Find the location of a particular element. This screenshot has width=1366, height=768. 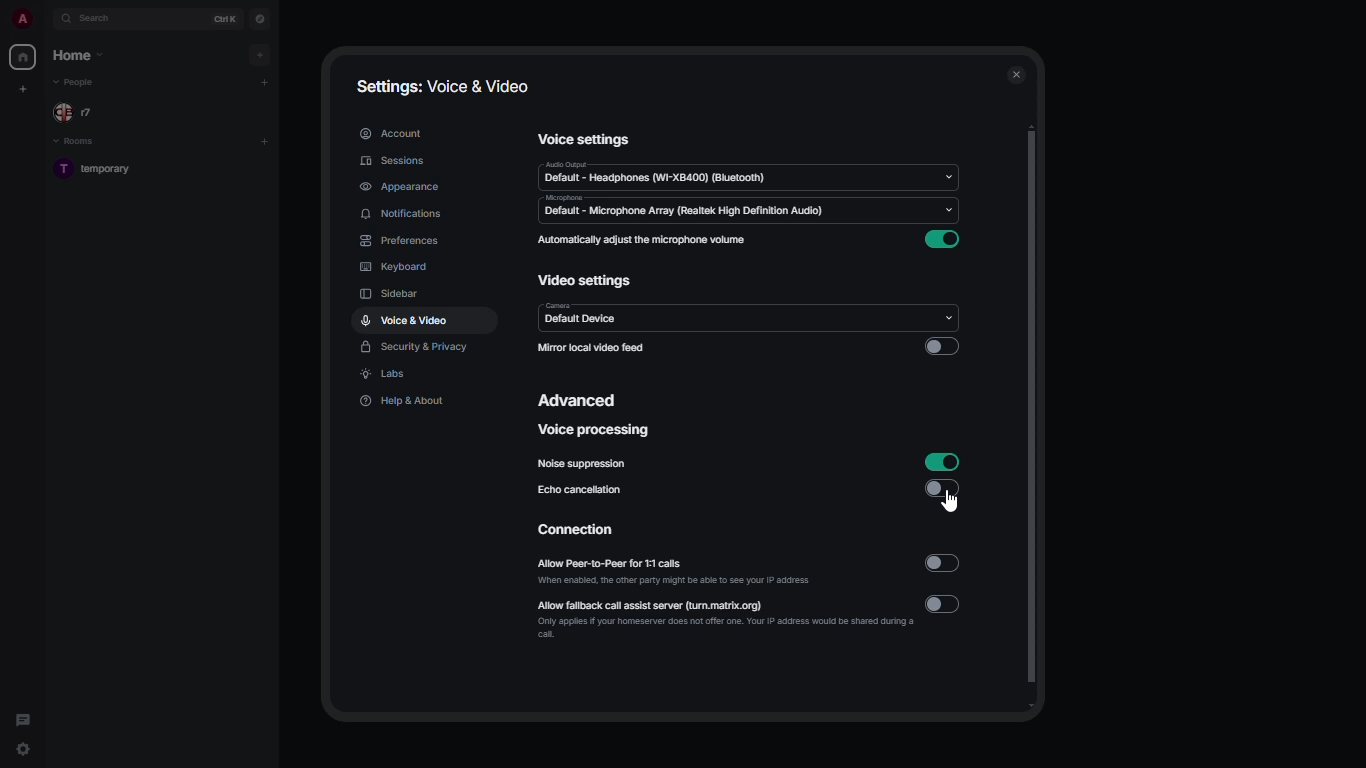

drop down is located at coordinates (949, 176).